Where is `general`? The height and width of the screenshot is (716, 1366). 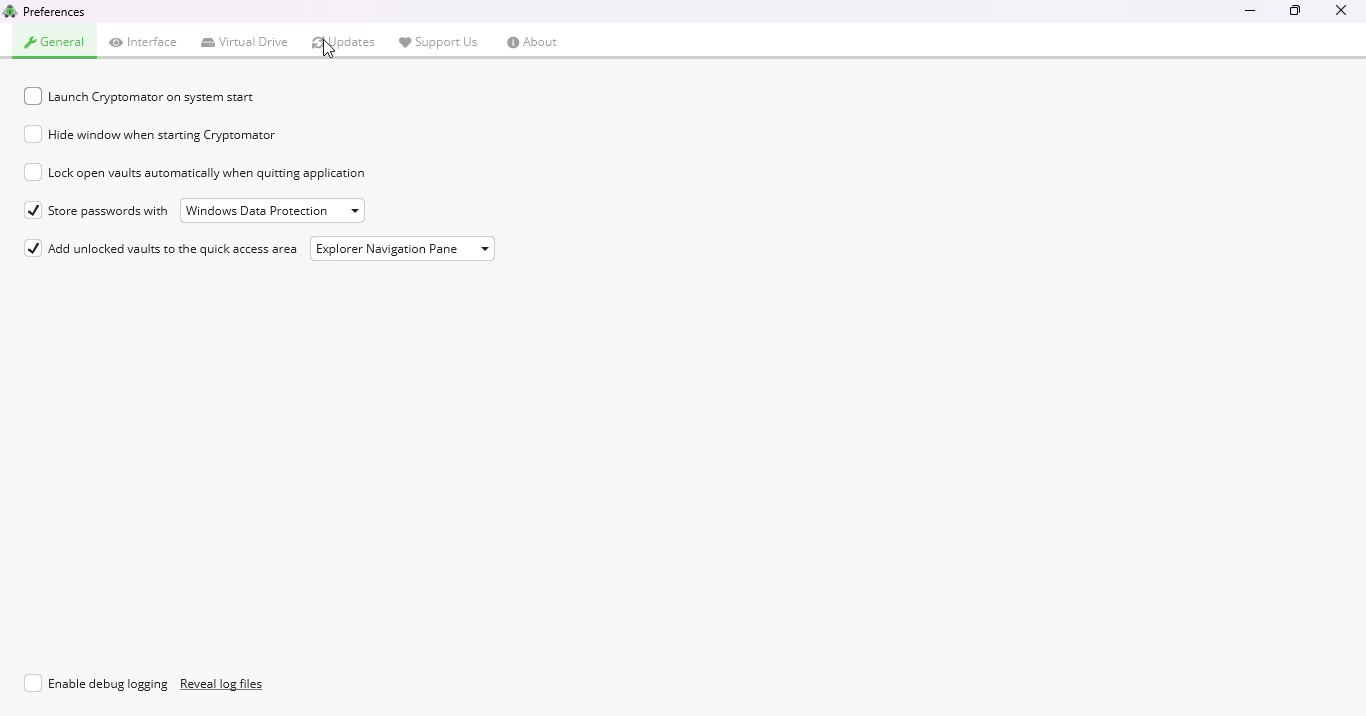
general is located at coordinates (56, 42).